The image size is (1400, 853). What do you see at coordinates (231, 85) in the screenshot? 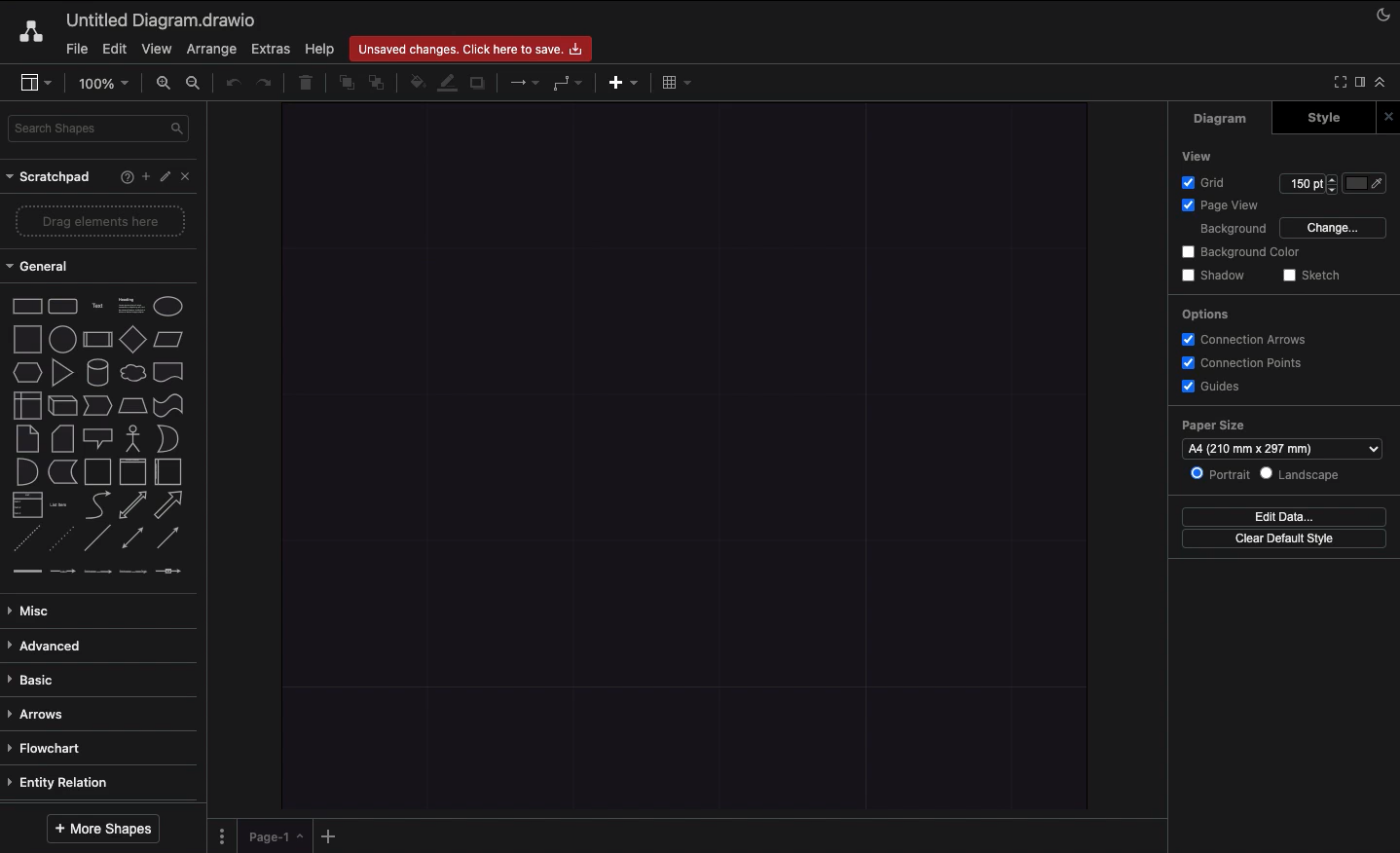
I see `Undo` at bounding box center [231, 85].